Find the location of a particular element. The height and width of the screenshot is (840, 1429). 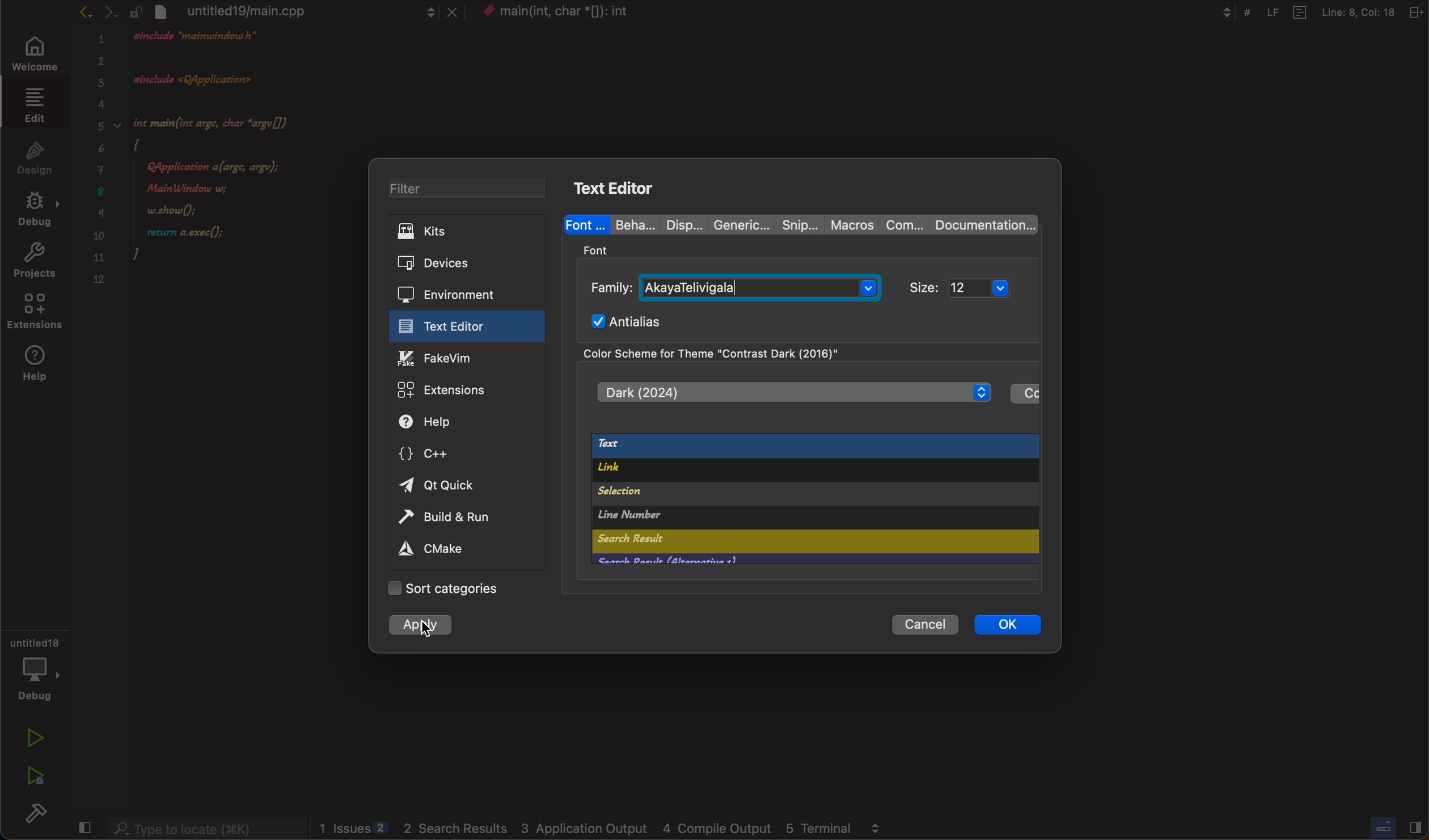

run debug is located at coordinates (35, 773).